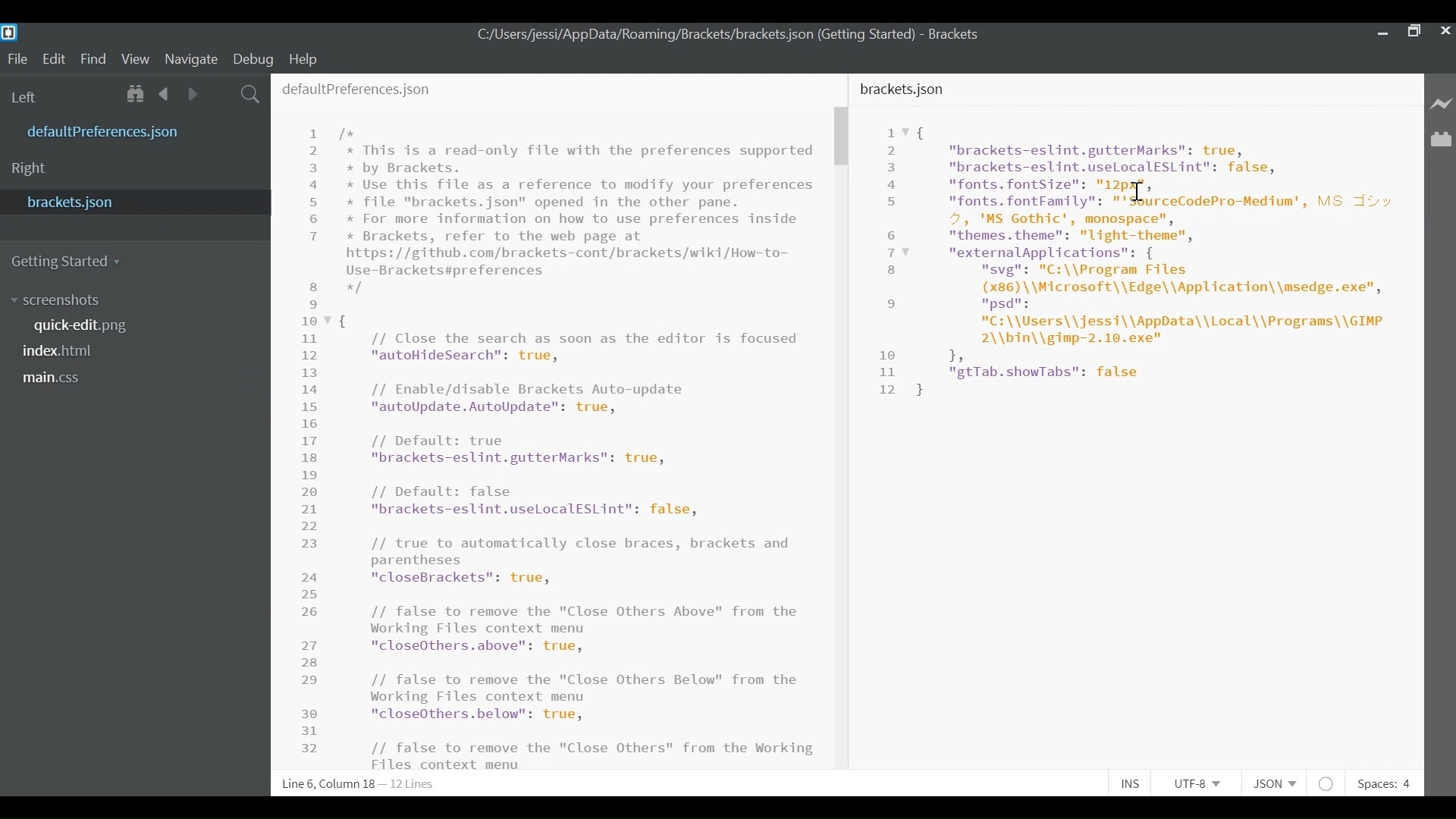 The width and height of the screenshot is (1456, 819). What do you see at coordinates (357, 785) in the screenshot?
I see `Line 6, Column 18 - 12 Lines` at bounding box center [357, 785].